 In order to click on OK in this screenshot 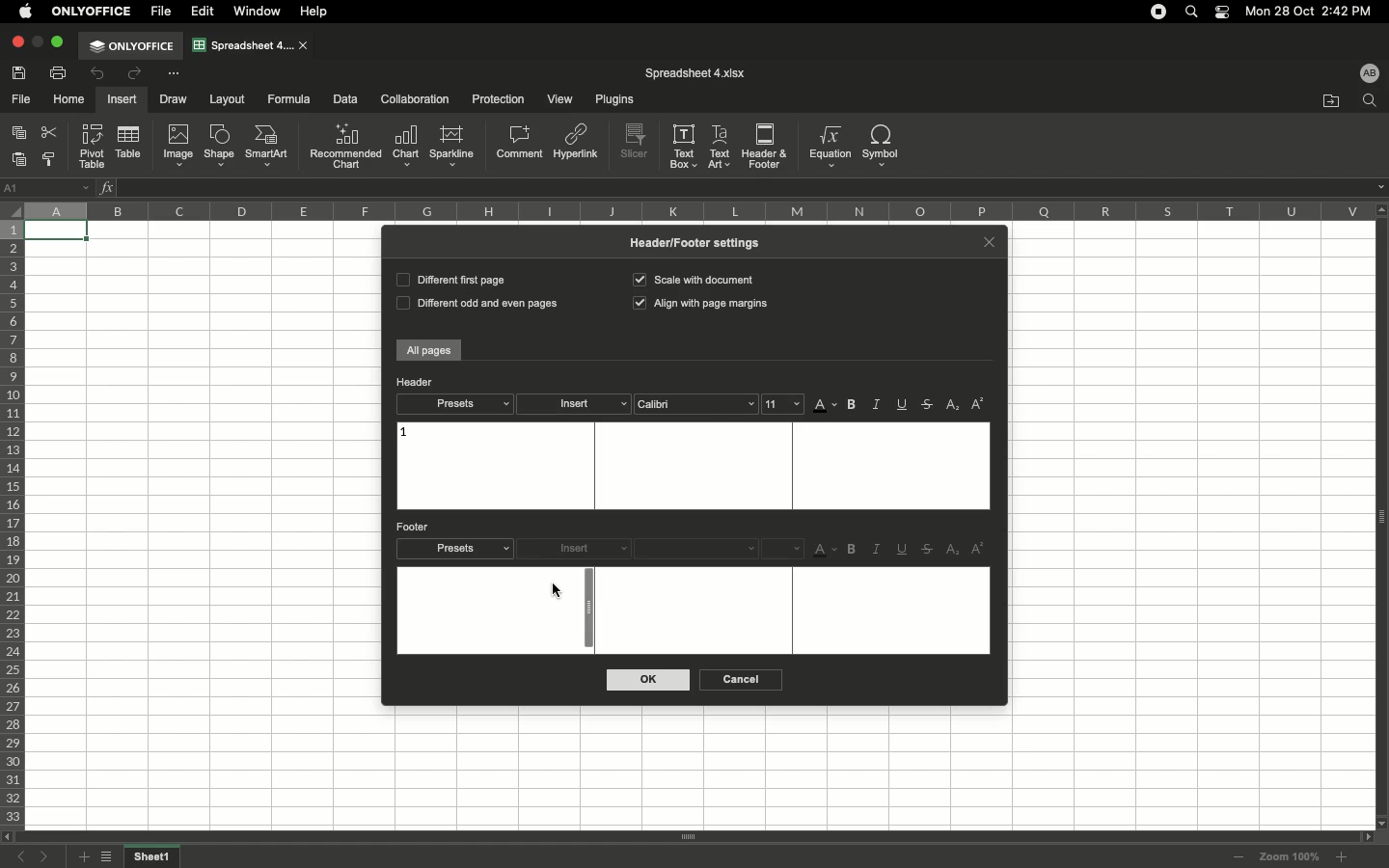, I will do `click(649, 680)`.